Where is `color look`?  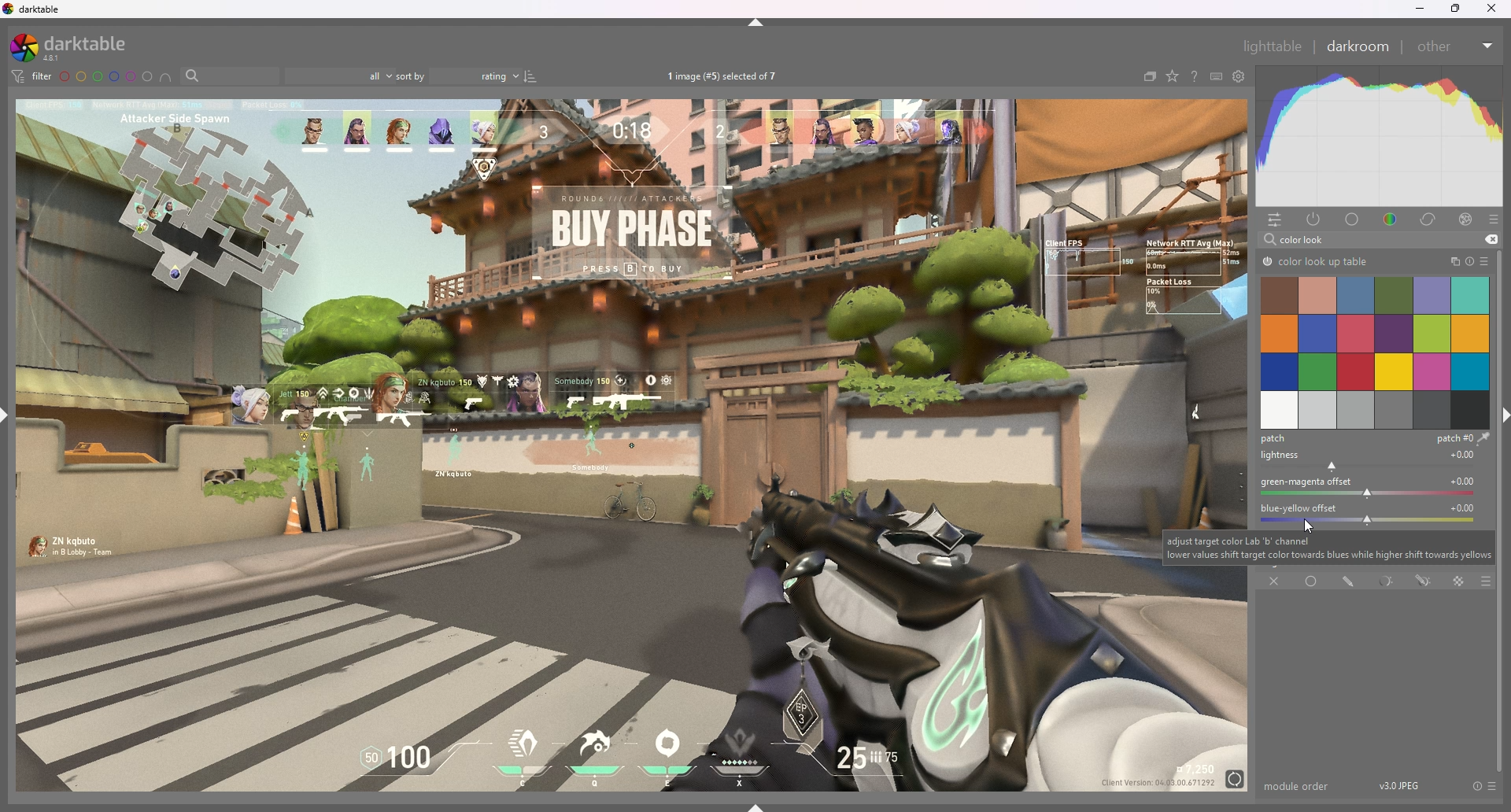
color look is located at coordinates (1306, 239).